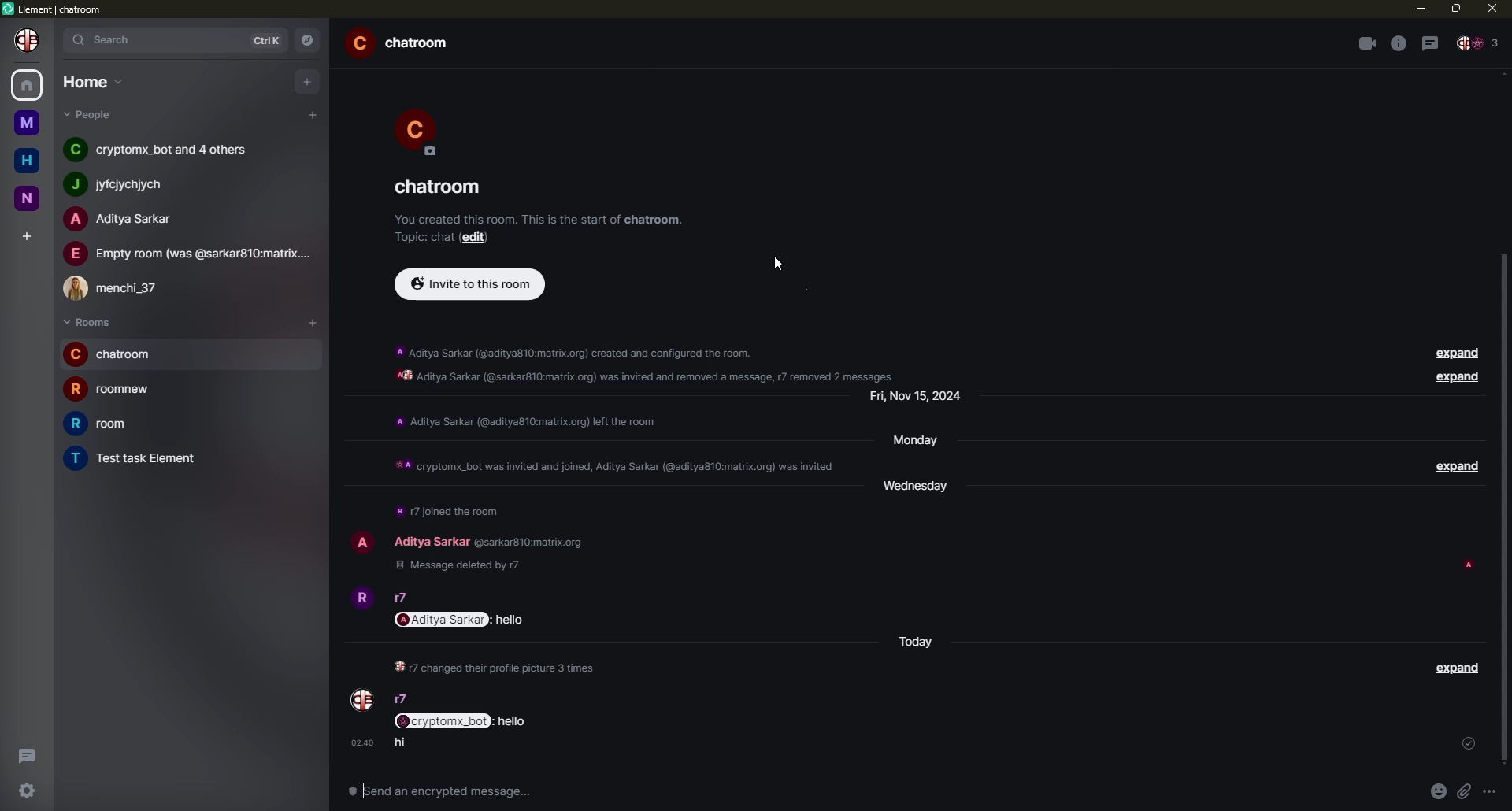  What do you see at coordinates (313, 321) in the screenshot?
I see `add` at bounding box center [313, 321].